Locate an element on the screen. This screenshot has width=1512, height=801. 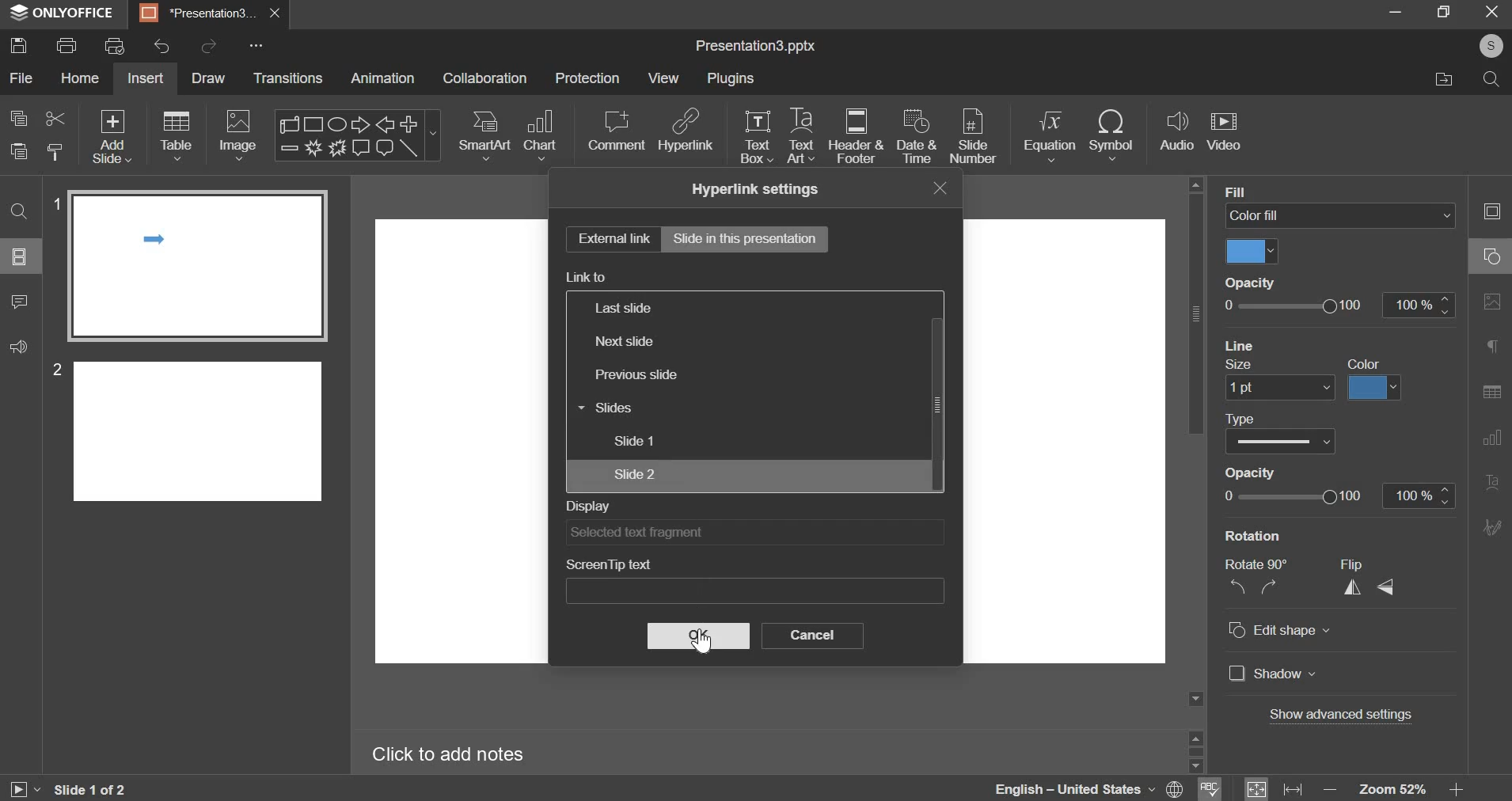
comment is located at coordinates (616, 131).